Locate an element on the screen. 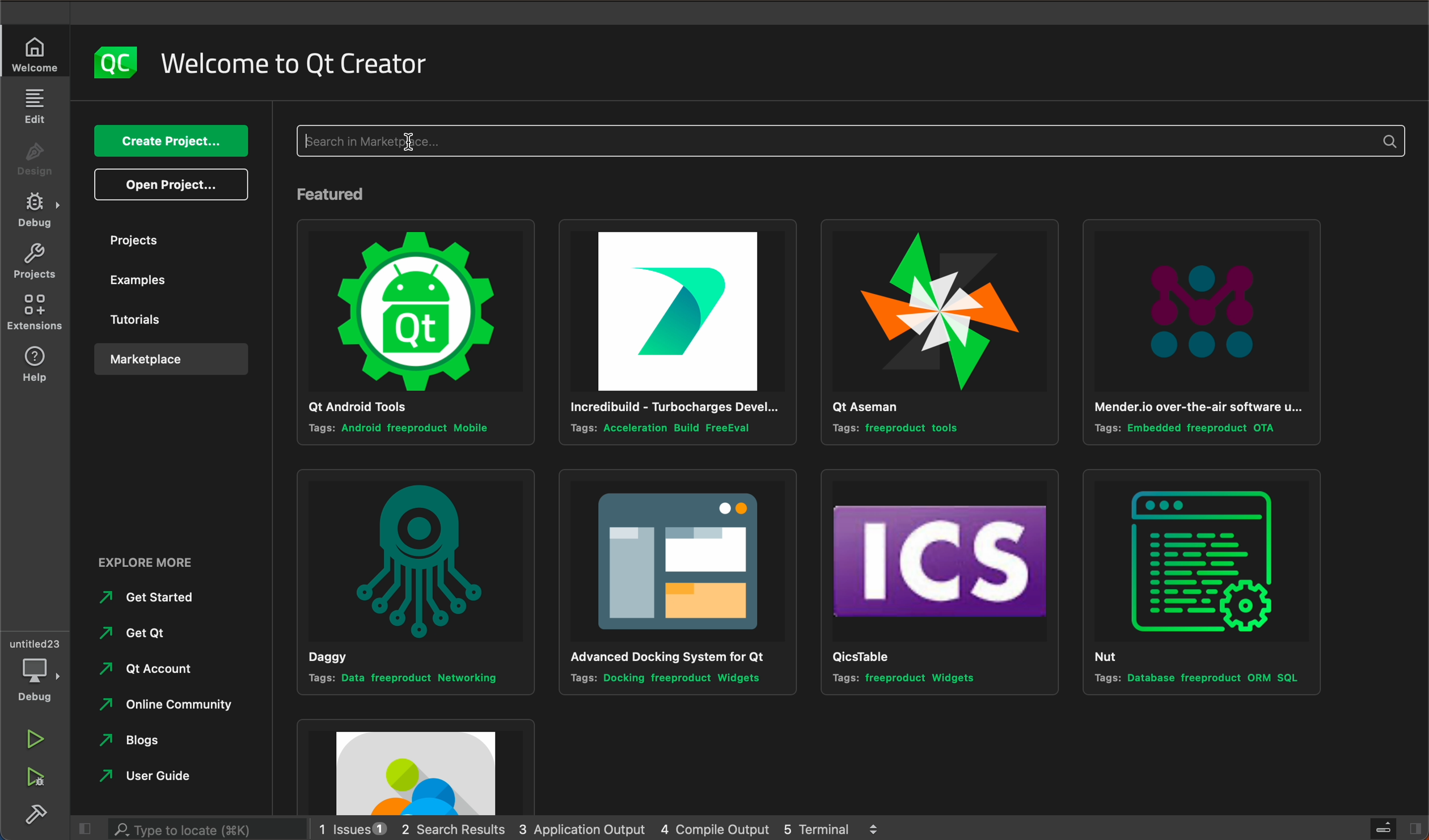  close slide bar is located at coordinates (1396, 829).